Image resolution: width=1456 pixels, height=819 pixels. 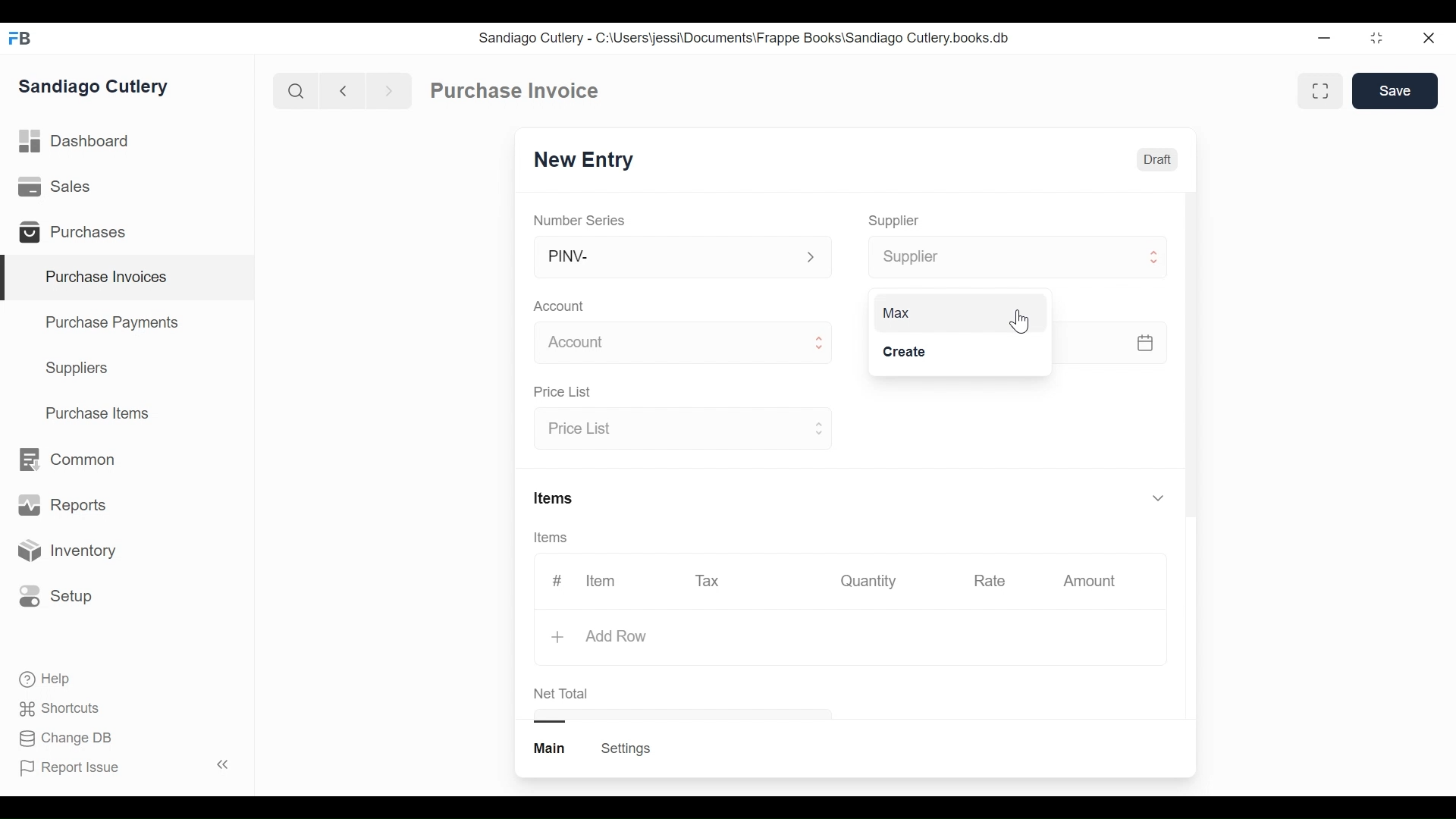 What do you see at coordinates (588, 161) in the screenshot?
I see `New Entry` at bounding box center [588, 161].